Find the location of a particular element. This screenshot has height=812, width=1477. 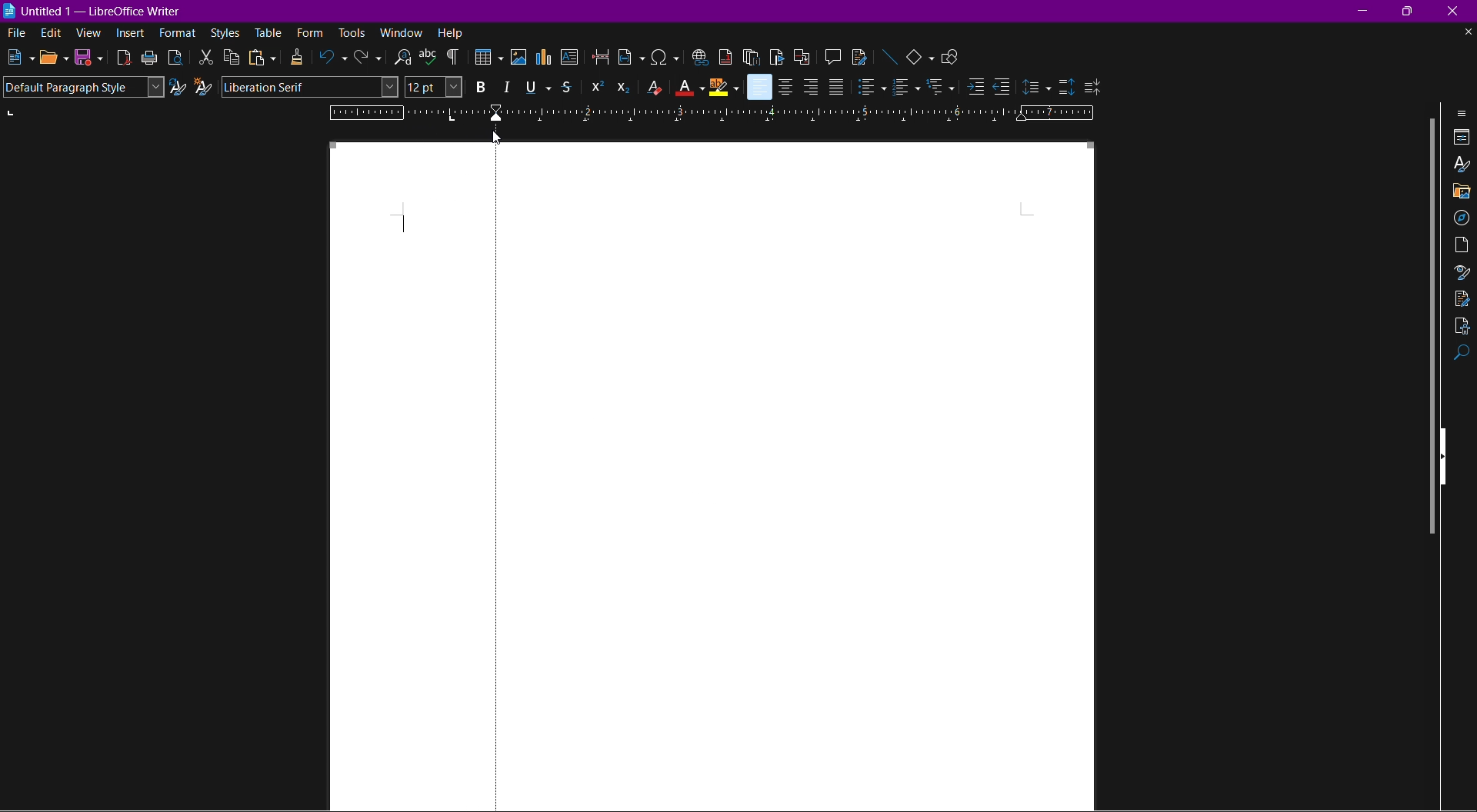

Undo is located at coordinates (334, 59).